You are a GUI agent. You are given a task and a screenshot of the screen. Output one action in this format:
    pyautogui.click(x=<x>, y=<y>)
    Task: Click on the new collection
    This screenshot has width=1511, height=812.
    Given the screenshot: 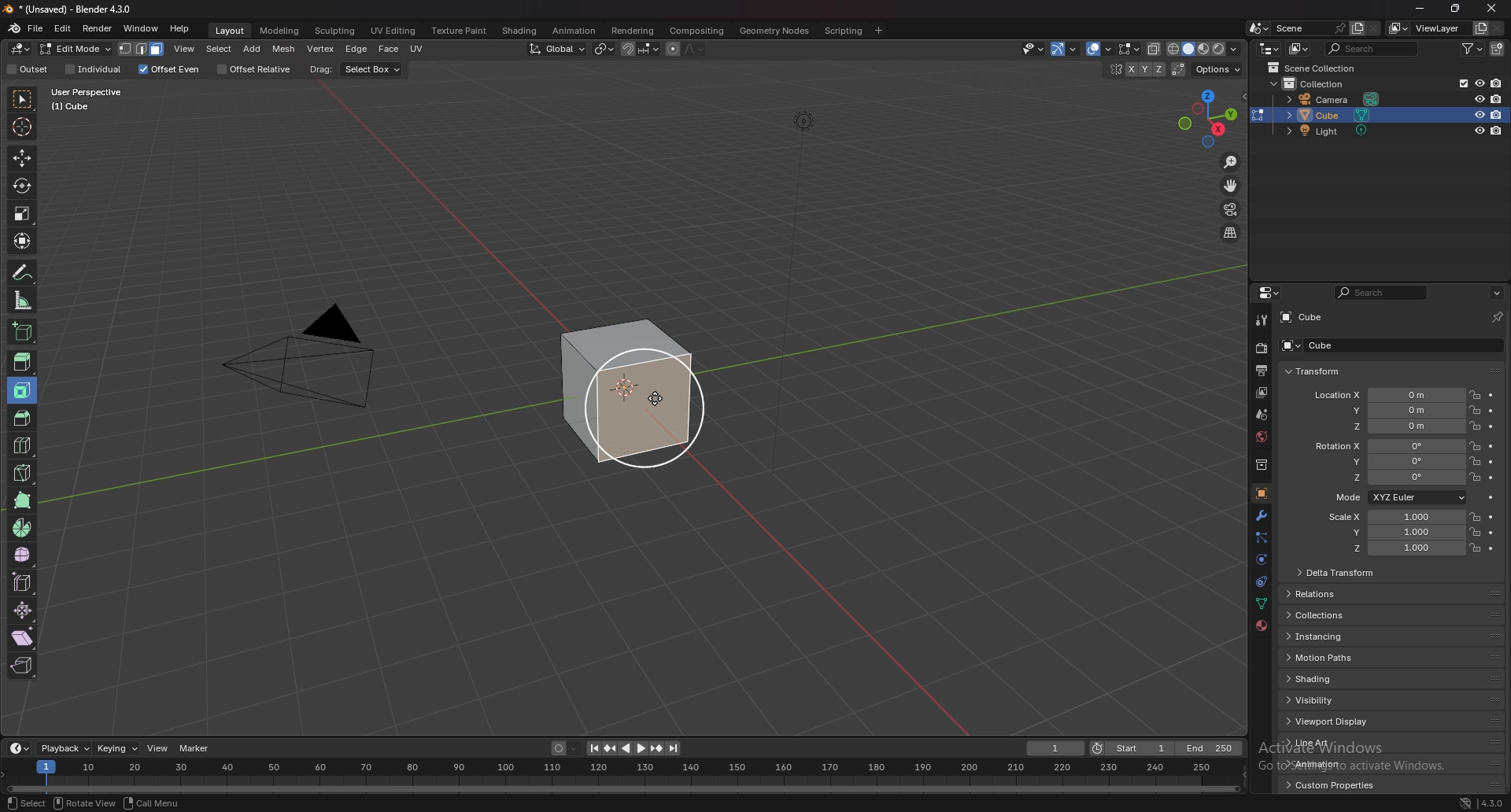 What is the action you would take?
    pyautogui.click(x=1498, y=50)
    